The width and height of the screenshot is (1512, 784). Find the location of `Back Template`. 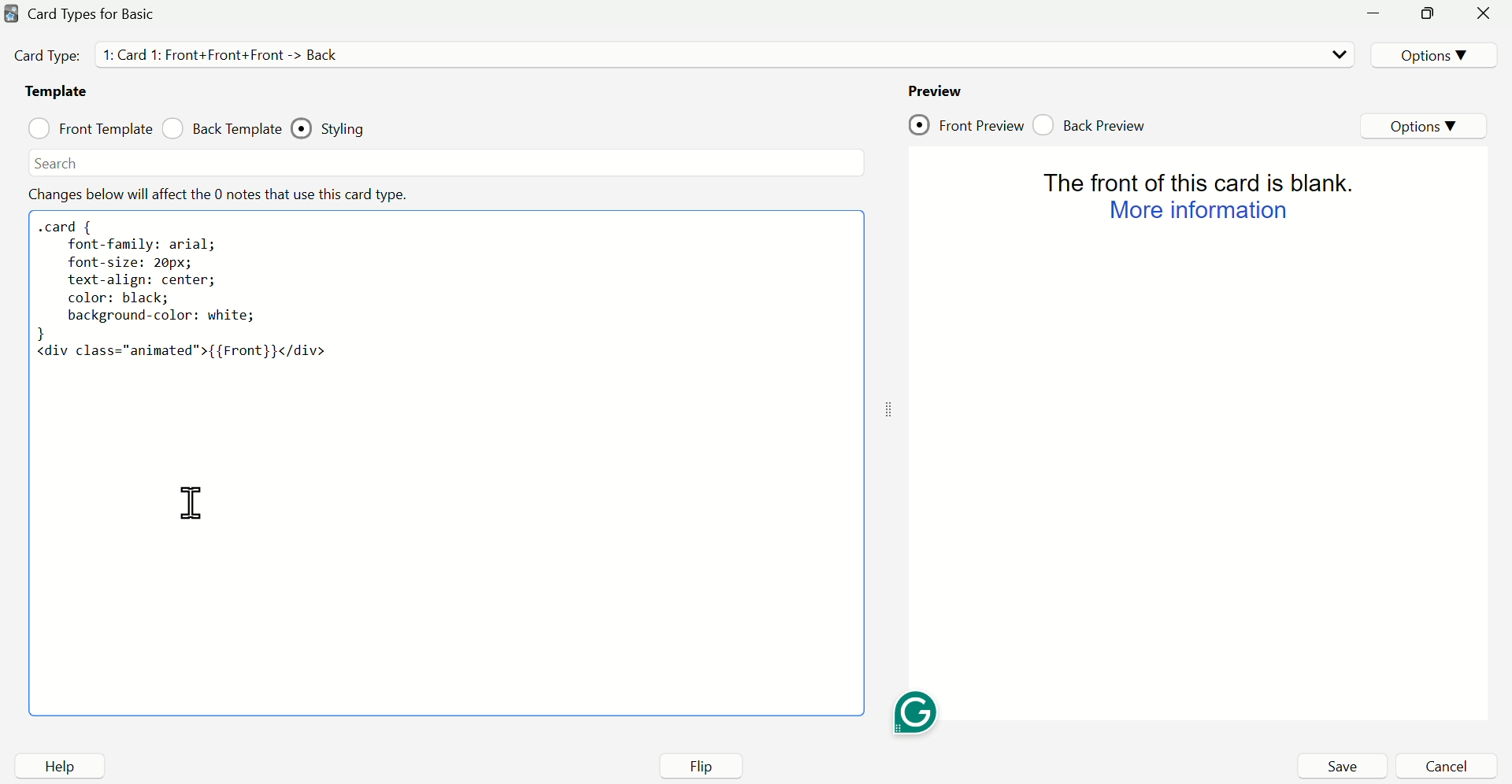

Back Template is located at coordinates (221, 131).